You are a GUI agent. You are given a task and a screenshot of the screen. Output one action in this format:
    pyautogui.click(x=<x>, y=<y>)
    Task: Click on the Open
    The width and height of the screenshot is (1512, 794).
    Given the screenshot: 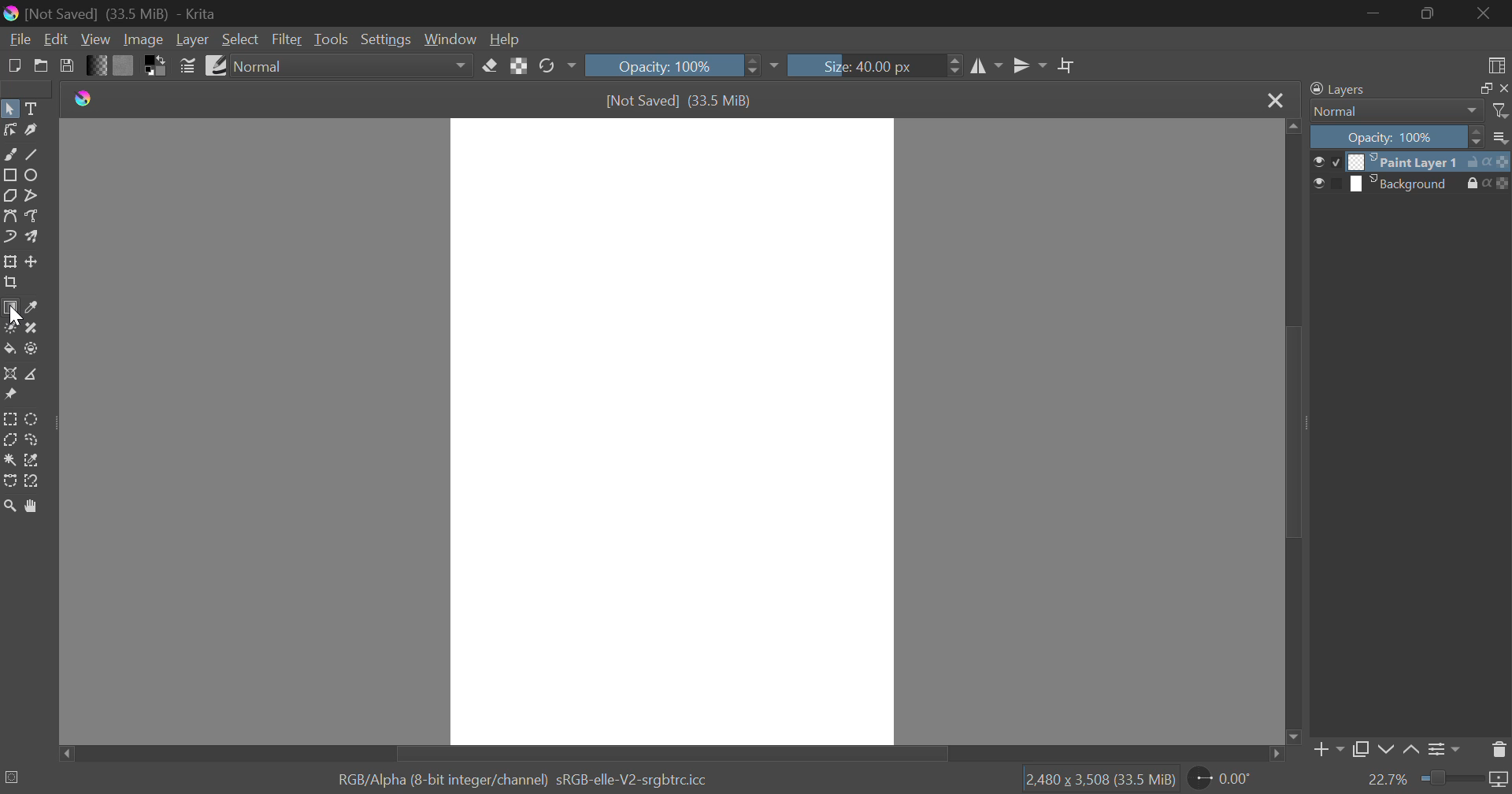 What is the action you would take?
    pyautogui.click(x=41, y=65)
    